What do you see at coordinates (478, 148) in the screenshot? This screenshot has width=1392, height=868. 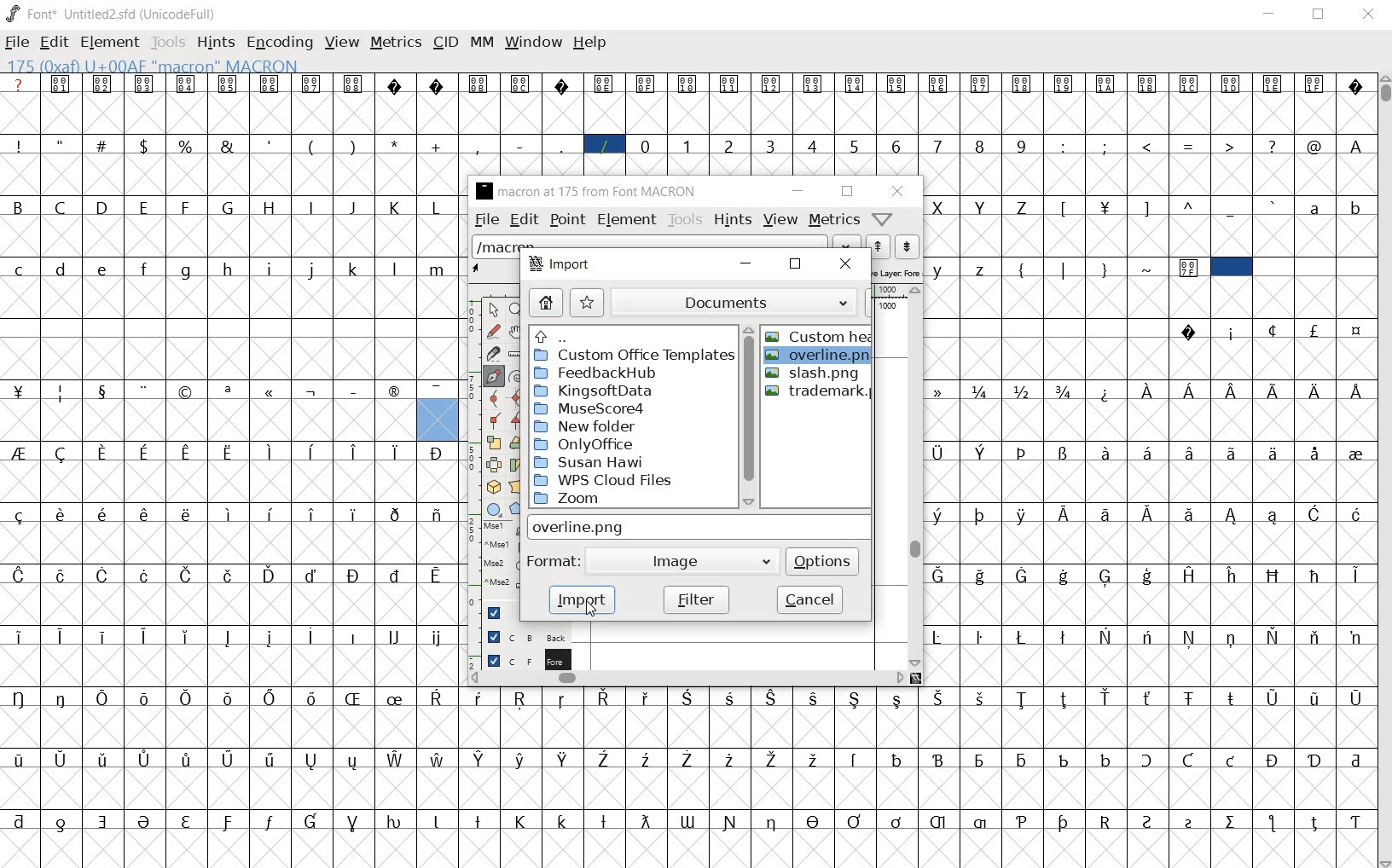 I see `,` at bounding box center [478, 148].